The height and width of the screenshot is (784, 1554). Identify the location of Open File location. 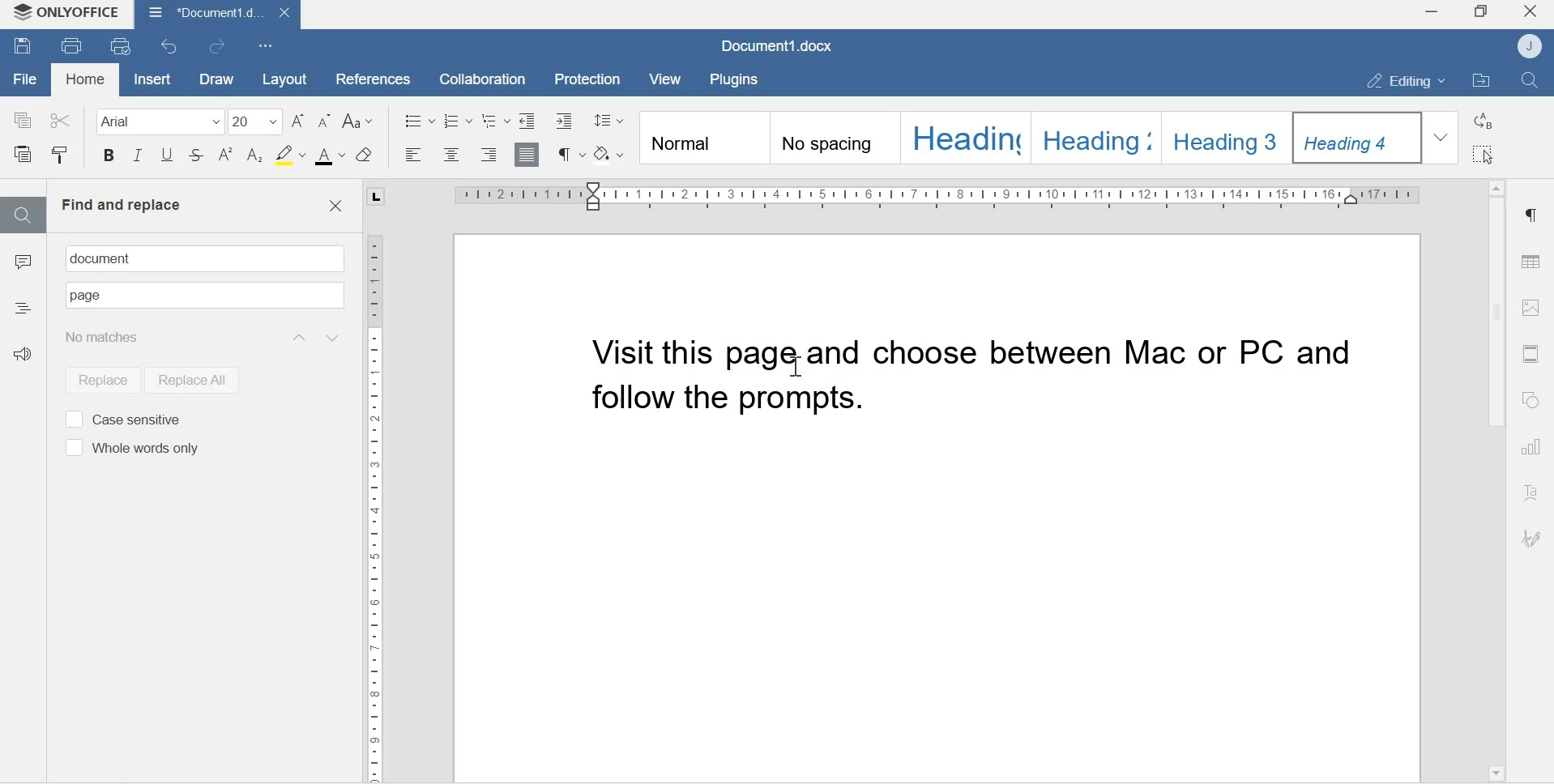
(1481, 82).